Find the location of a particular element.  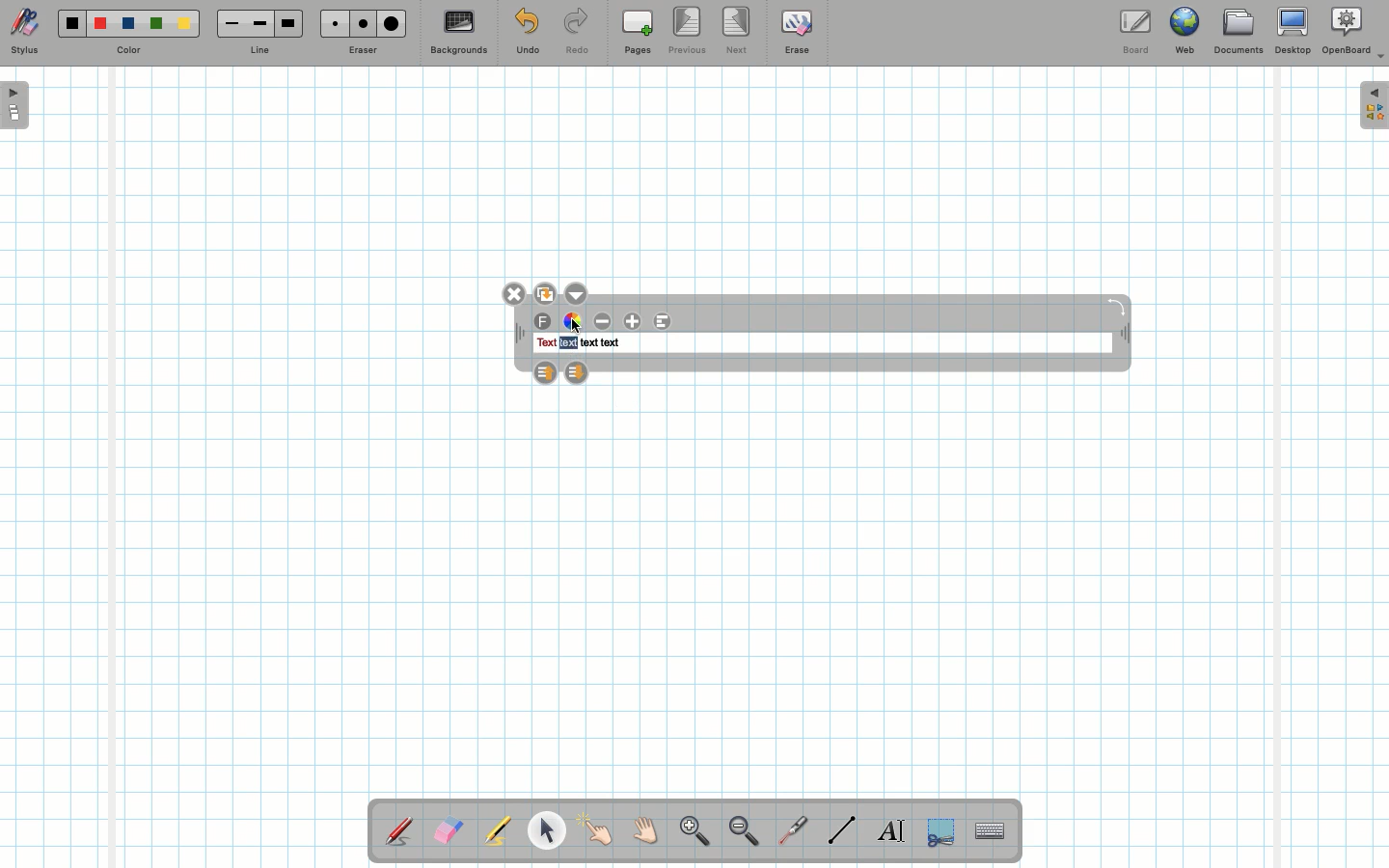

Layer down is located at coordinates (578, 372).